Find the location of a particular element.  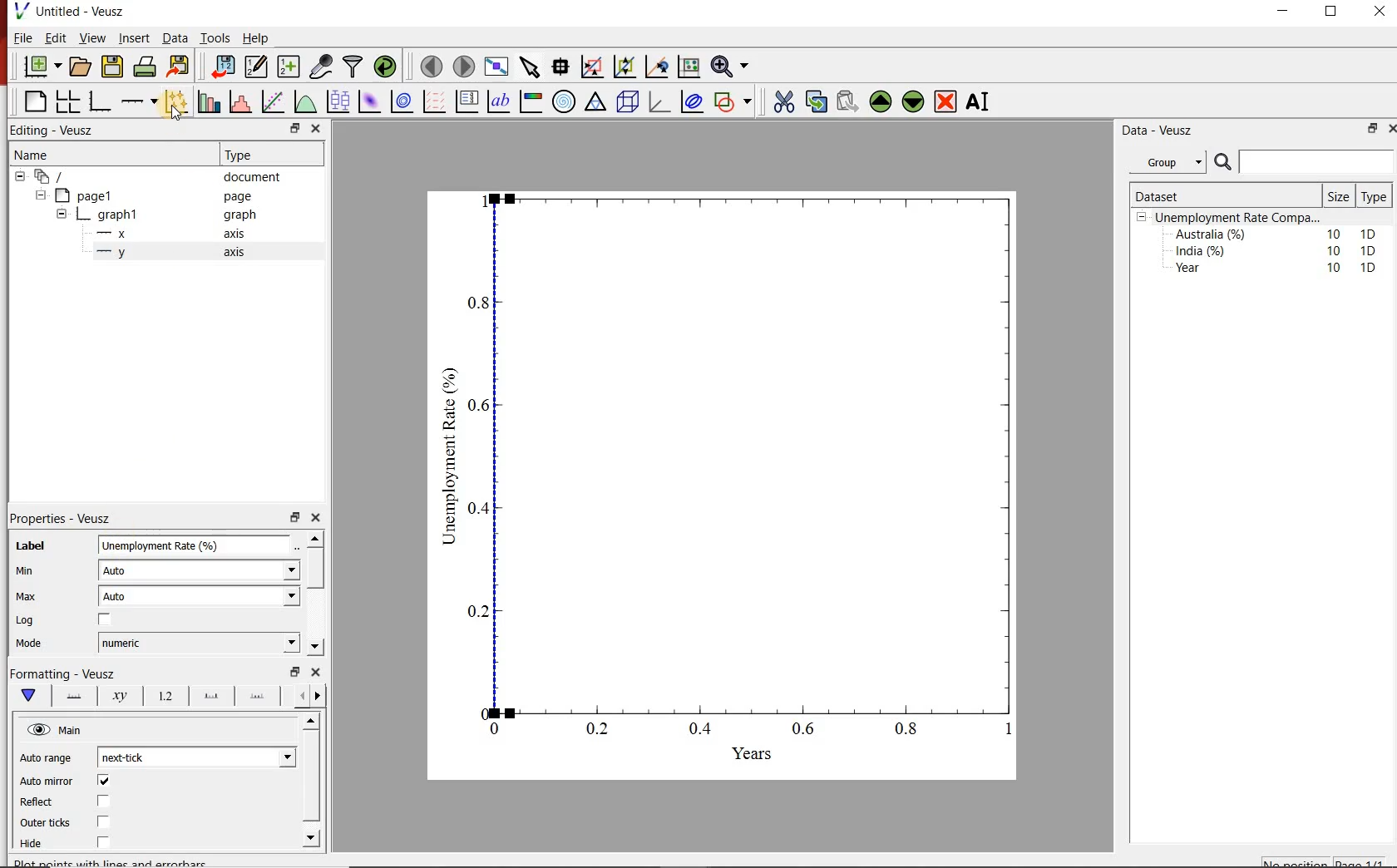

caputure remote data is located at coordinates (323, 66).